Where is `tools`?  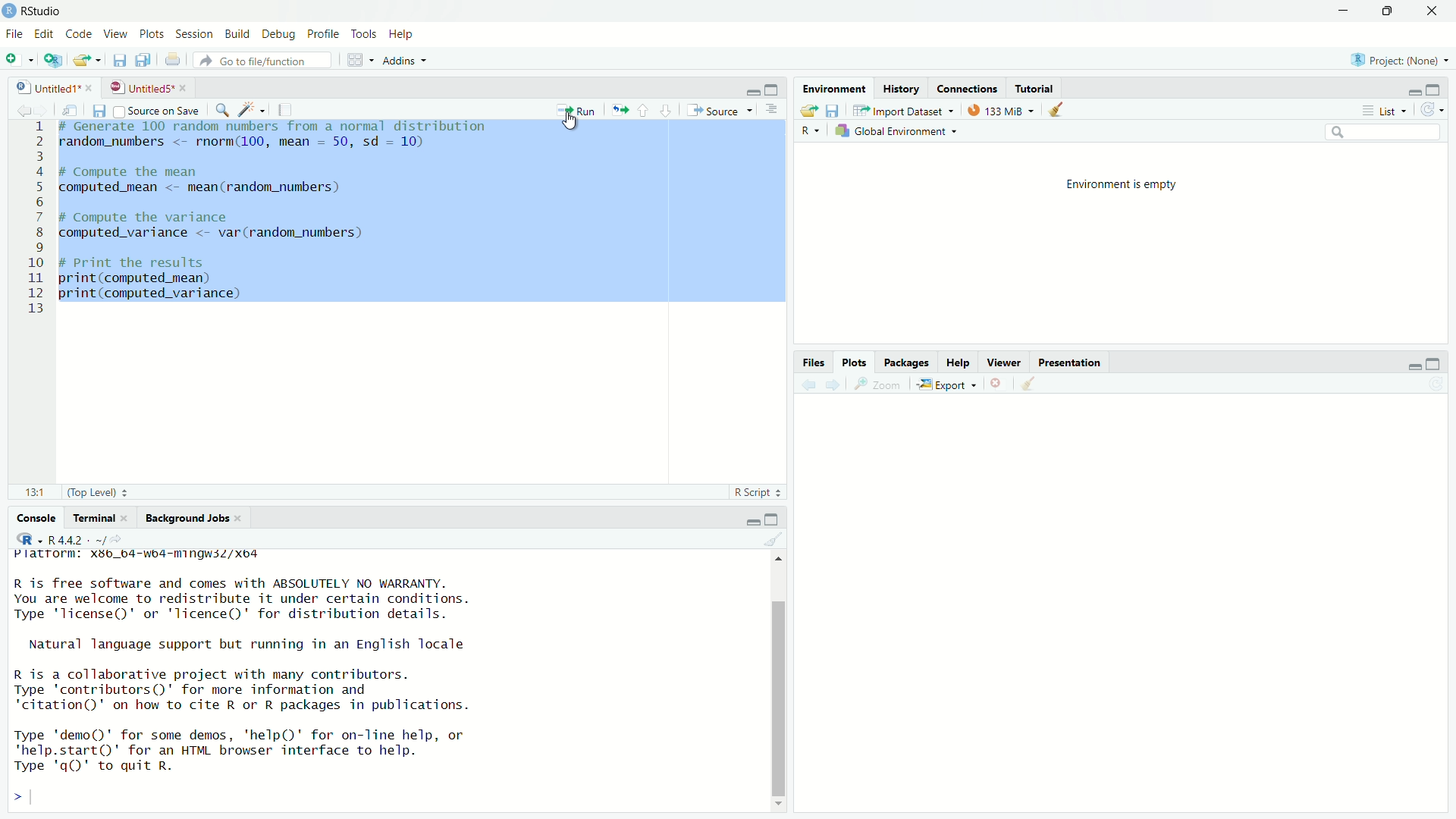
tools is located at coordinates (364, 32).